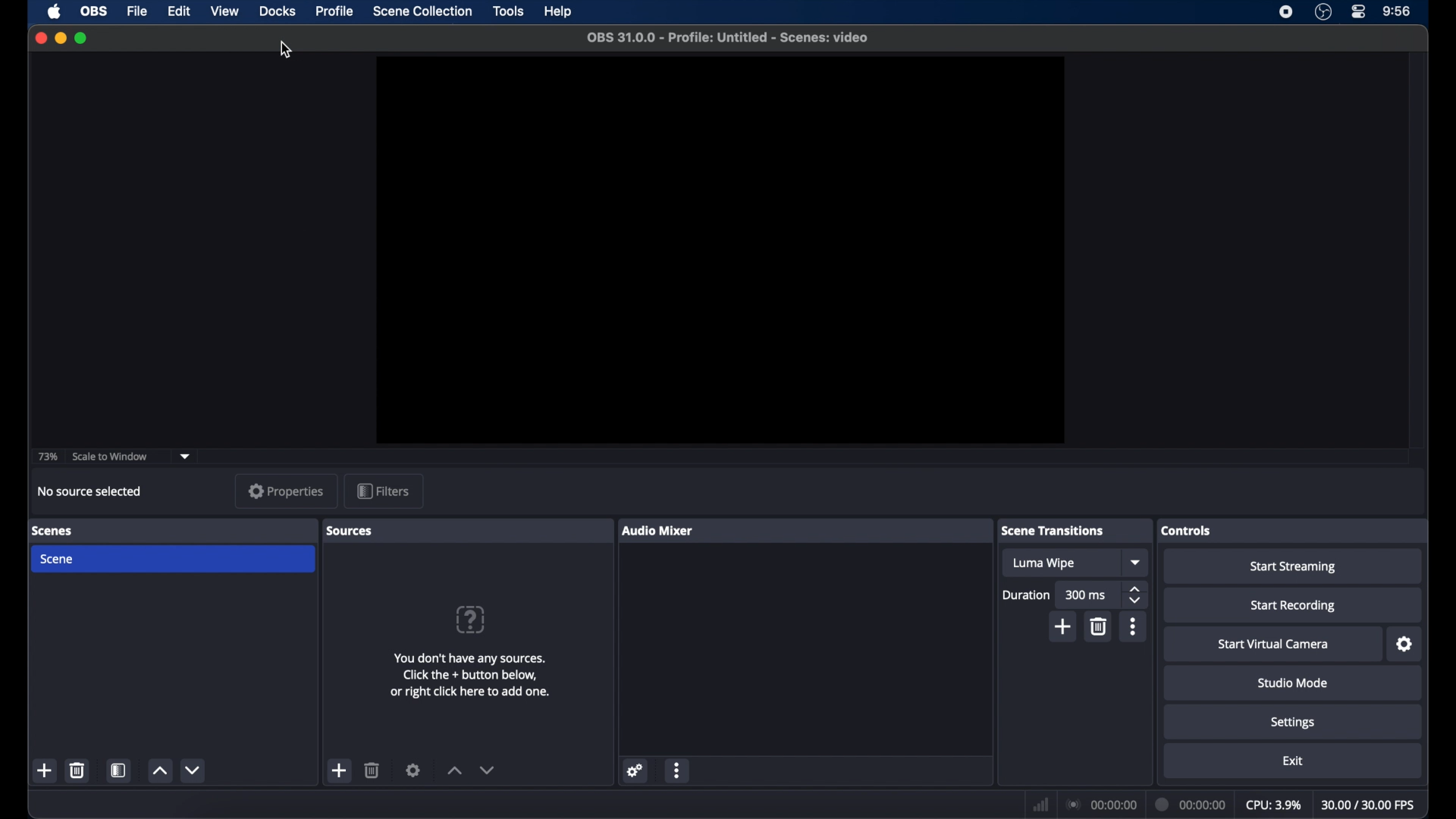  What do you see at coordinates (487, 769) in the screenshot?
I see `decrement` at bounding box center [487, 769].